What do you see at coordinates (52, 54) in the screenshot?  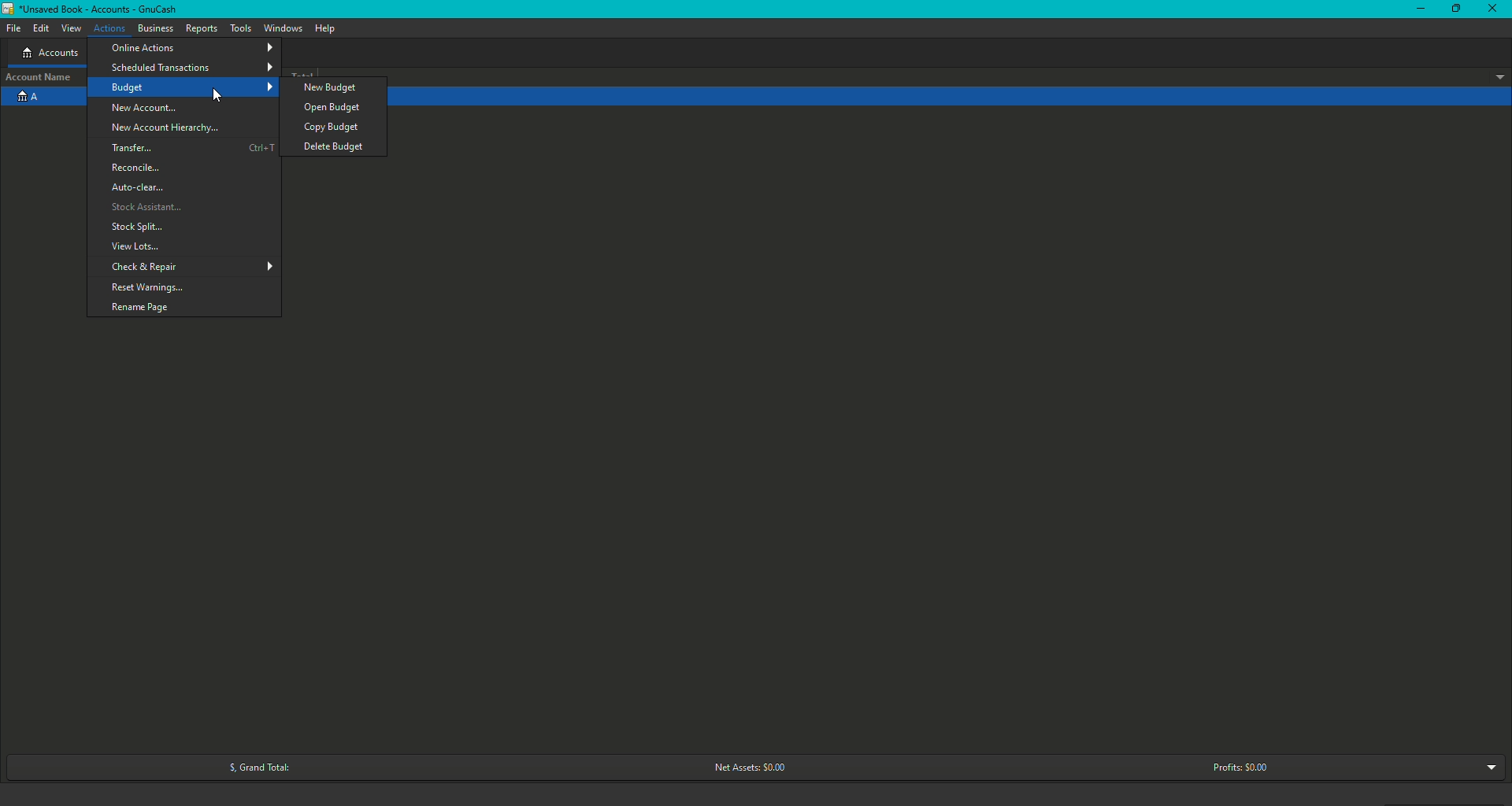 I see `Accounts` at bounding box center [52, 54].